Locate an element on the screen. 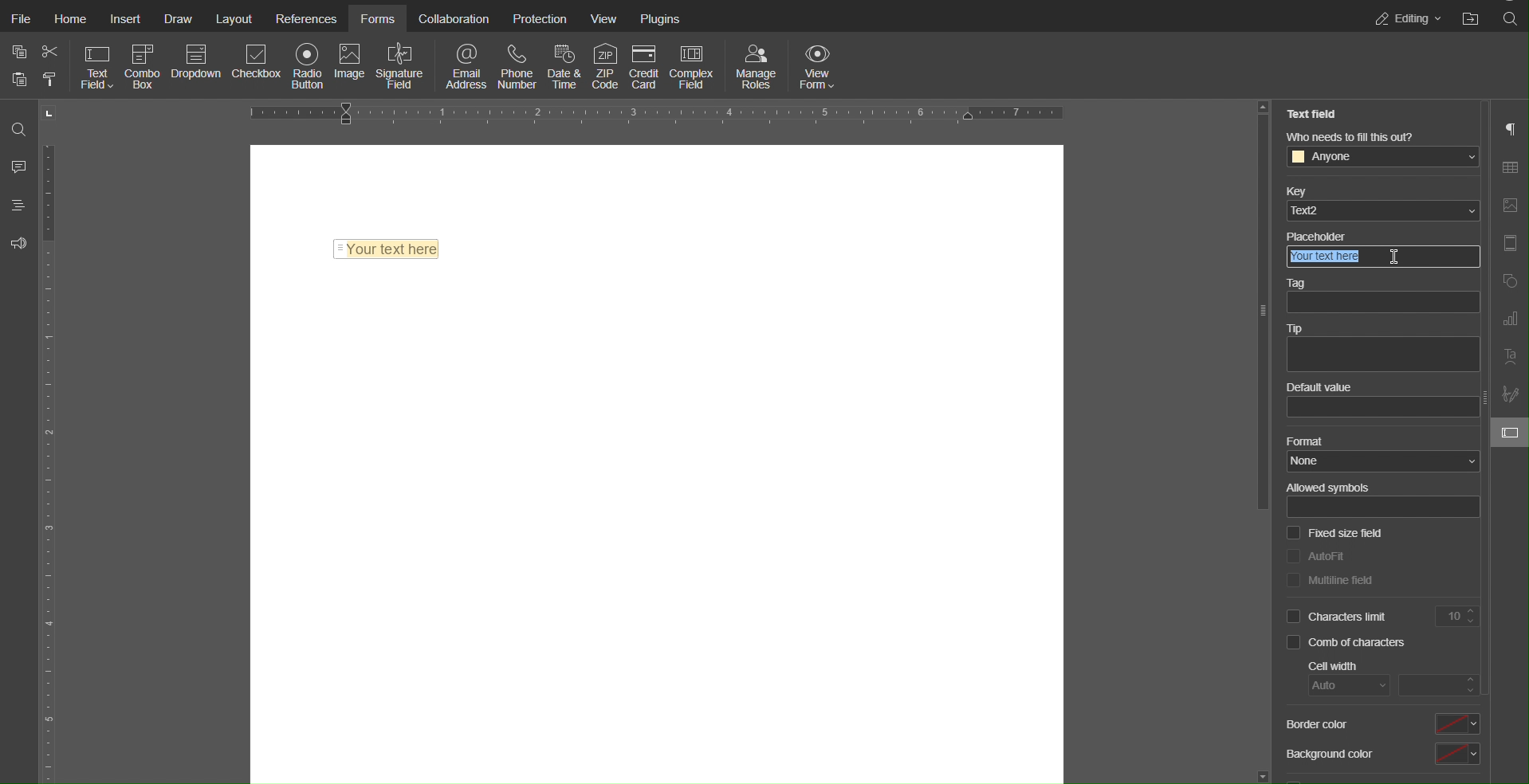 Image resolution: width=1529 pixels, height=784 pixels. Headings is located at coordinates (19, 204).